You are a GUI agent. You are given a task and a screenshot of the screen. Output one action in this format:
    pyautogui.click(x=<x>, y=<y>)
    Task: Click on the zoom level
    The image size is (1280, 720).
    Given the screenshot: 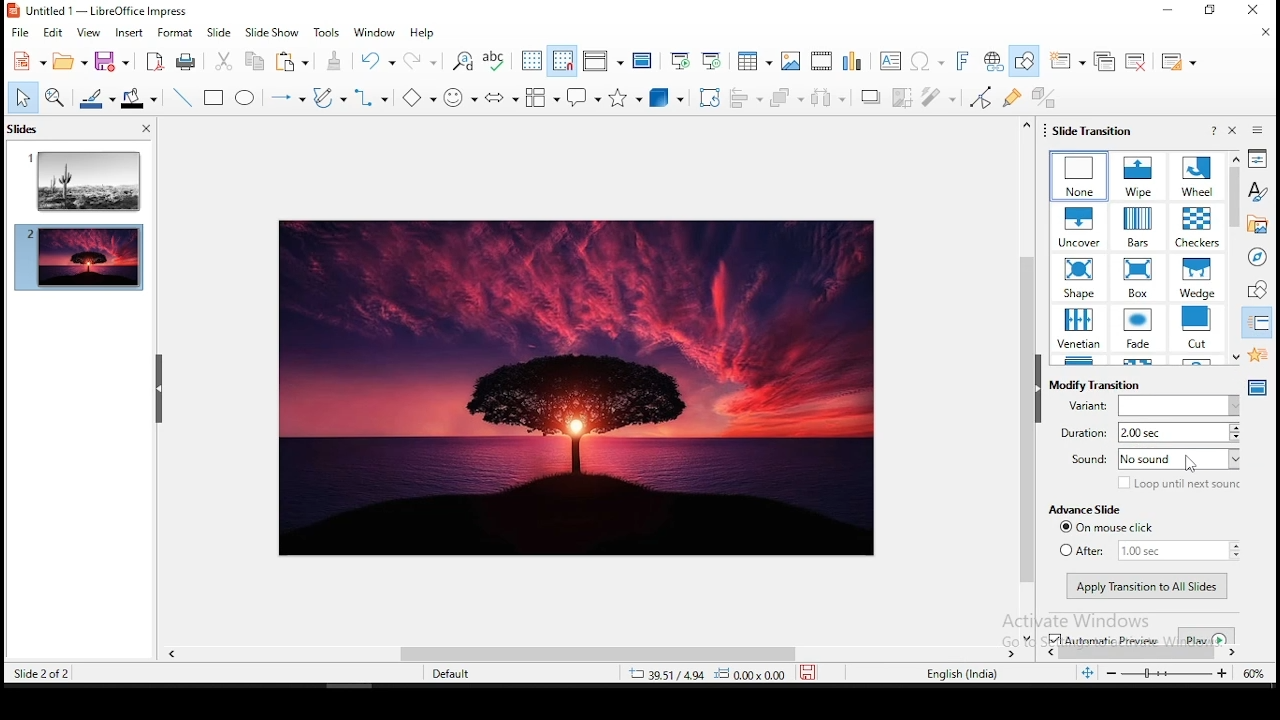 What is the action you would take?
    pyautogui.click(x=1253, y=675)
    